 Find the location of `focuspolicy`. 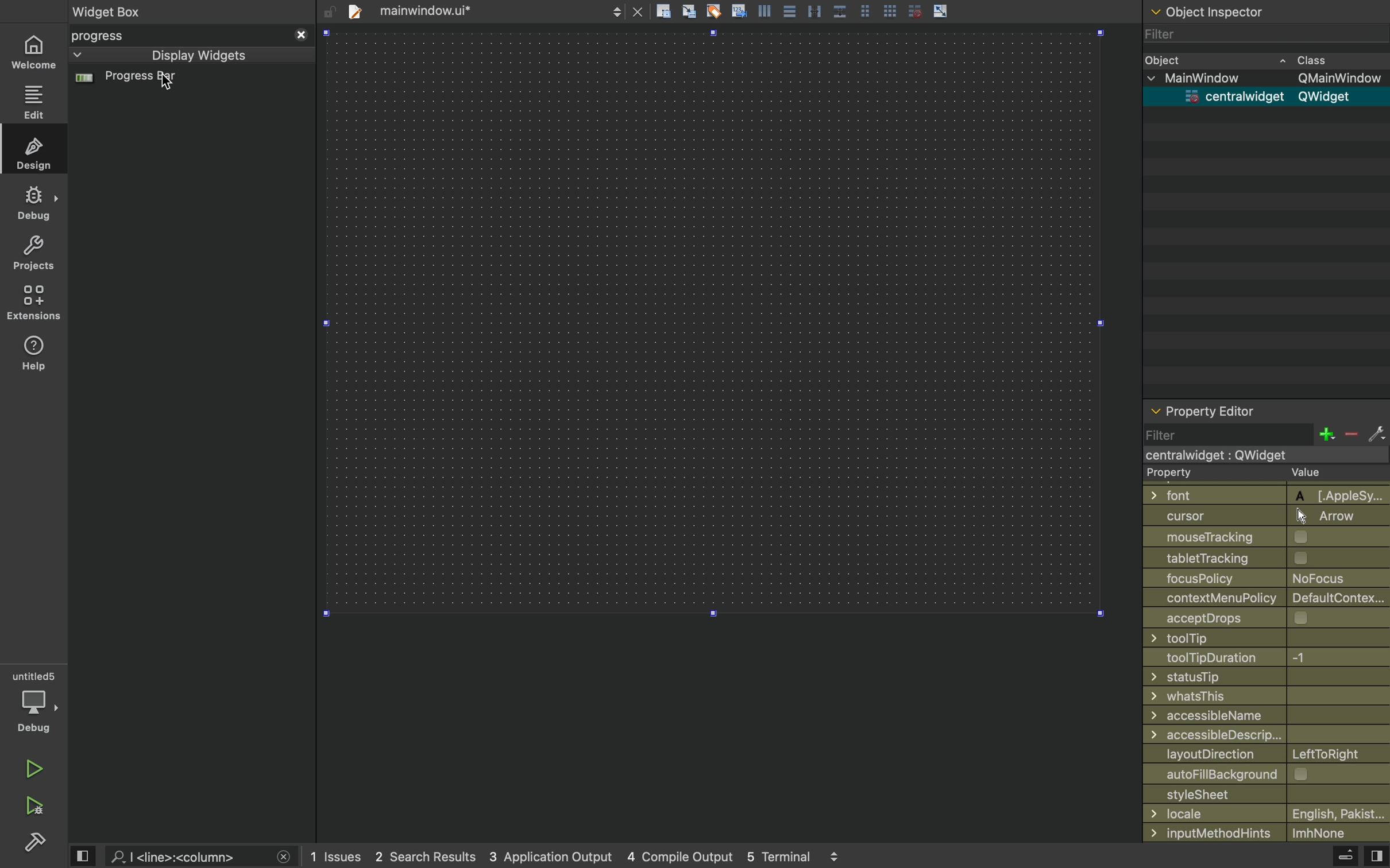

focuspolicy is located at coordinates (1257, 577).